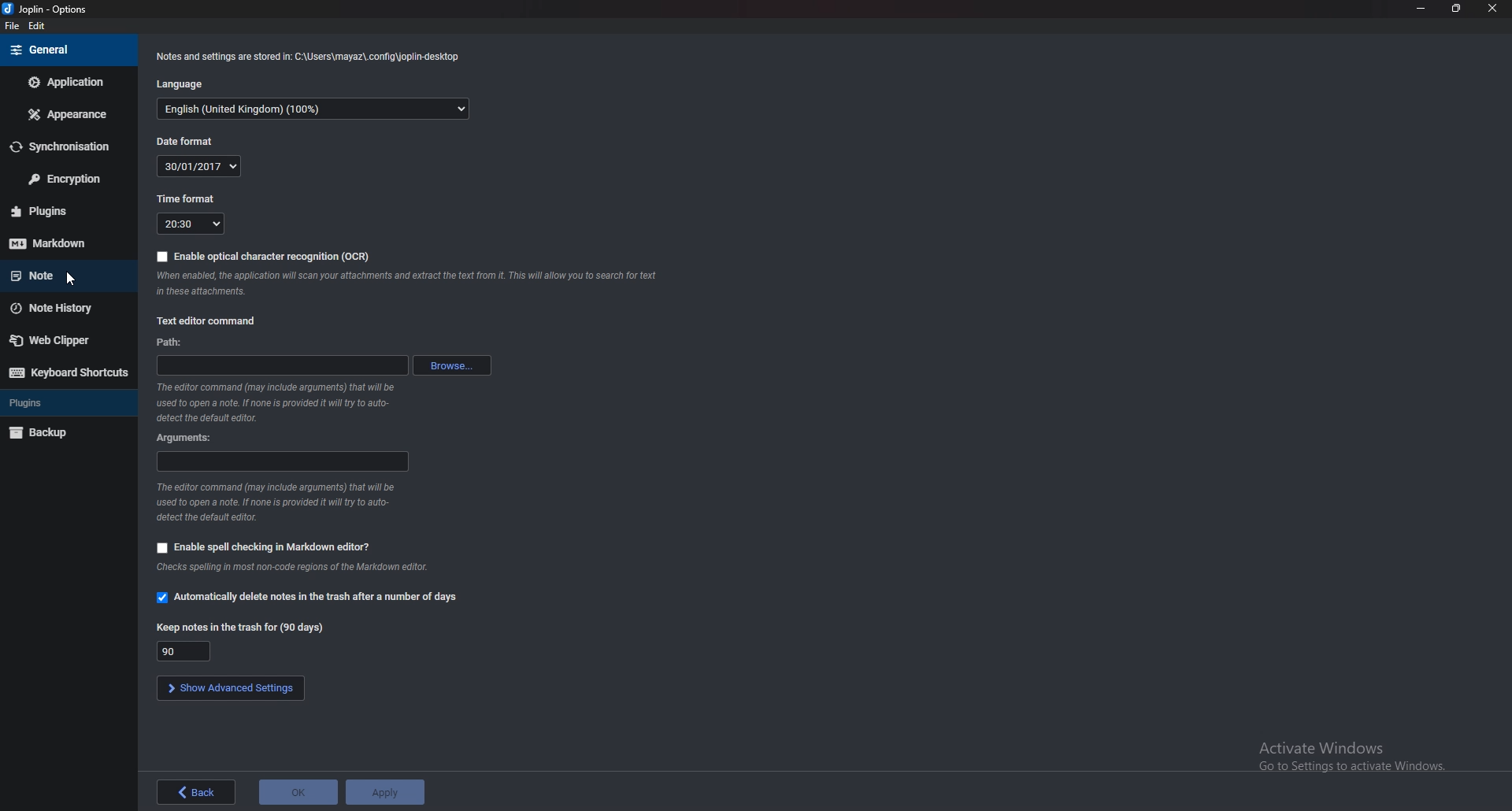  I want to click on Info, so click(298, 568).